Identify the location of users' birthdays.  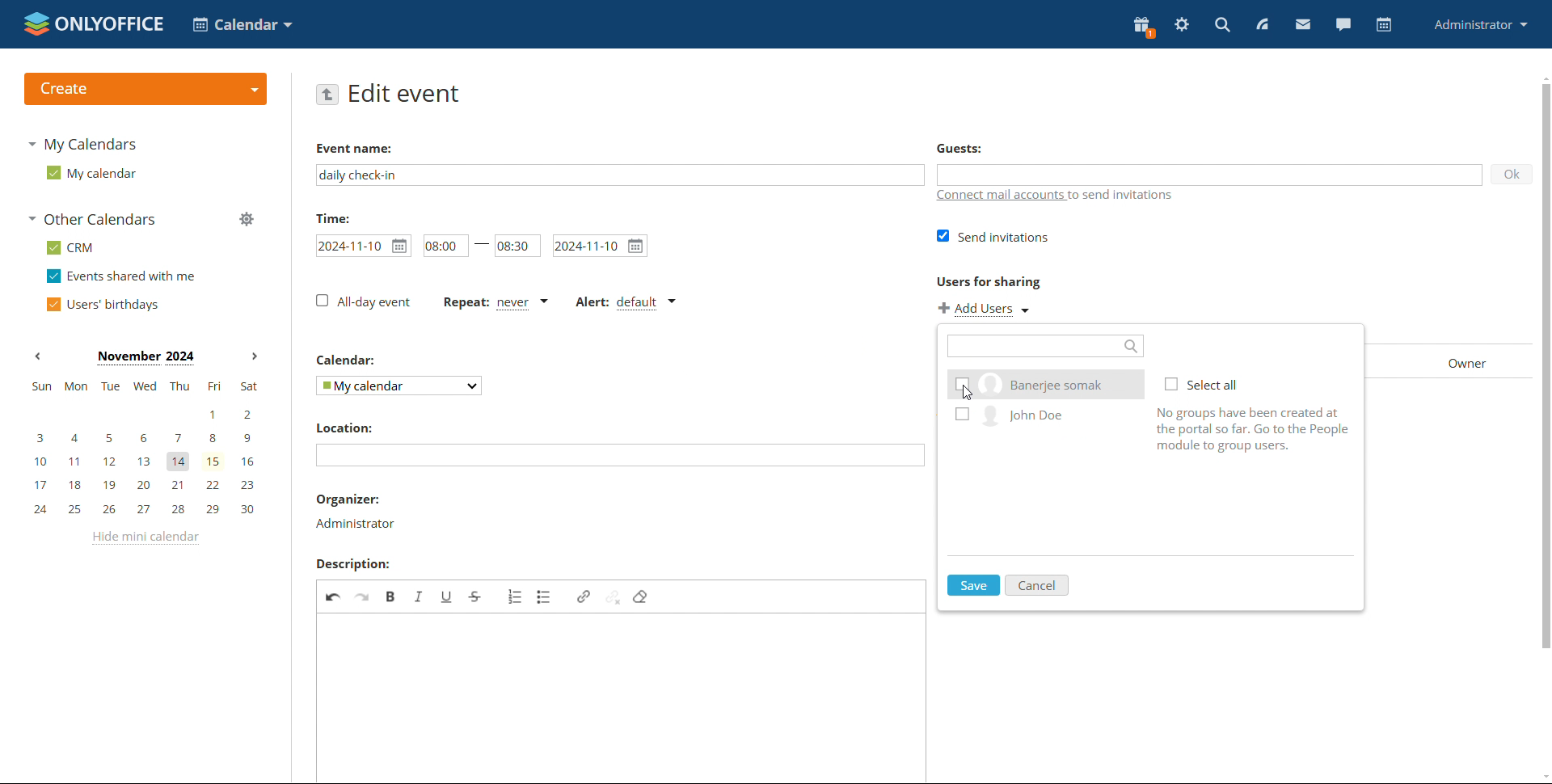
(102, 304).